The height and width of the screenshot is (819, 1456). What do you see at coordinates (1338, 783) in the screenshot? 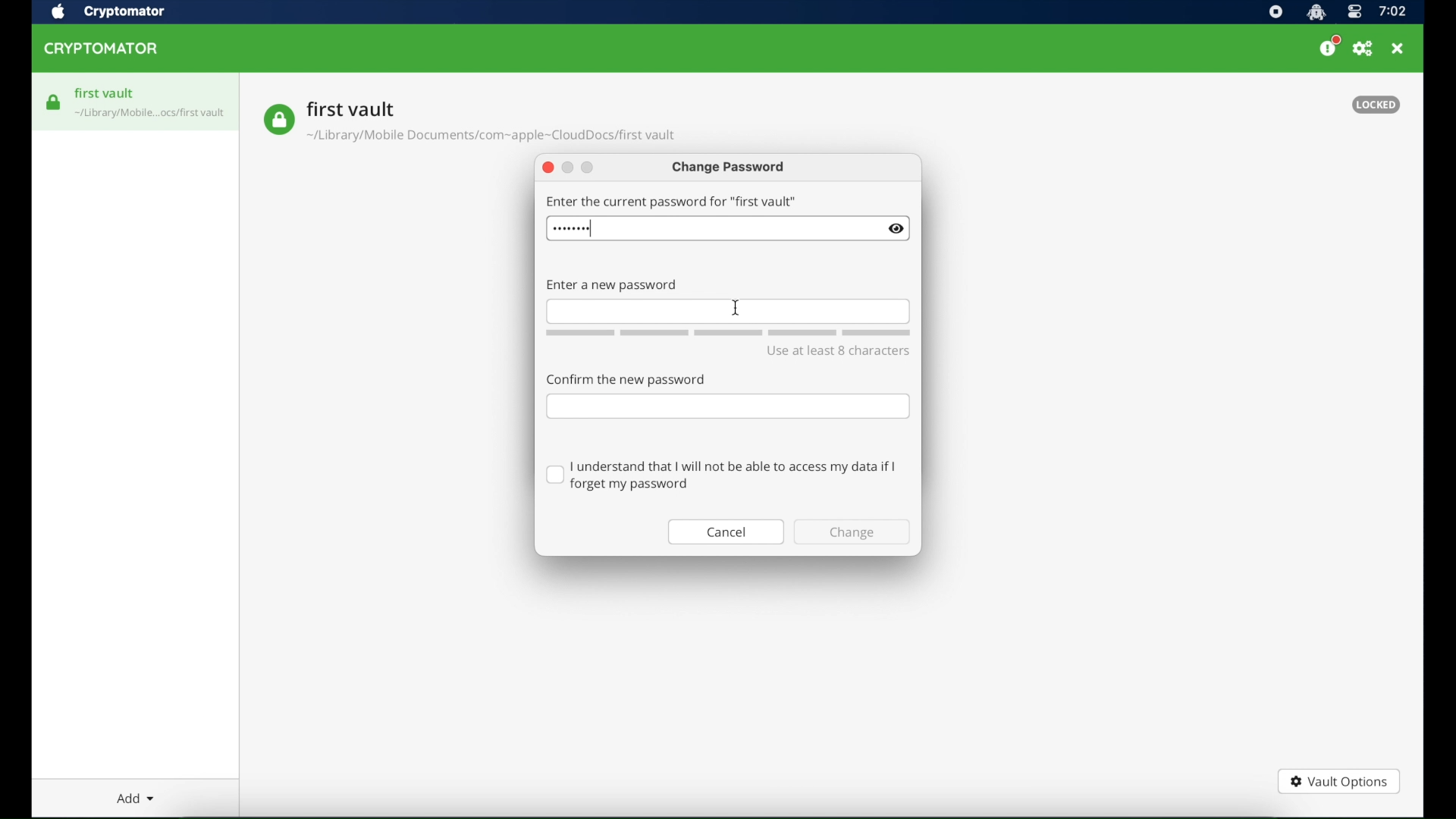
I see `vault options` at bounding box center [1338, 783].